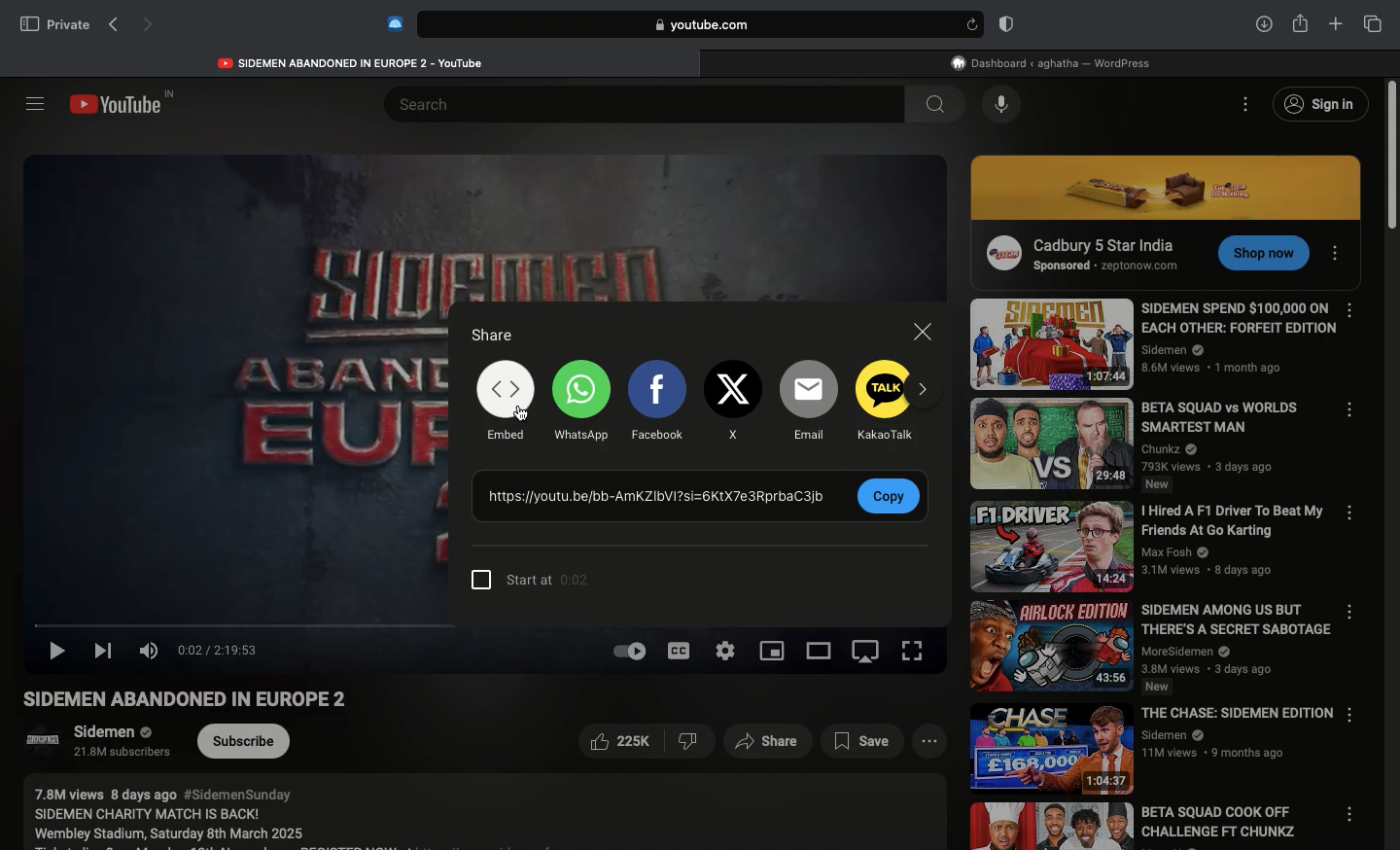 This screenshot has width=1400, height=850. Describe the element at coordinates (970, 24) in the screenshot. I see `refresh` at that location.